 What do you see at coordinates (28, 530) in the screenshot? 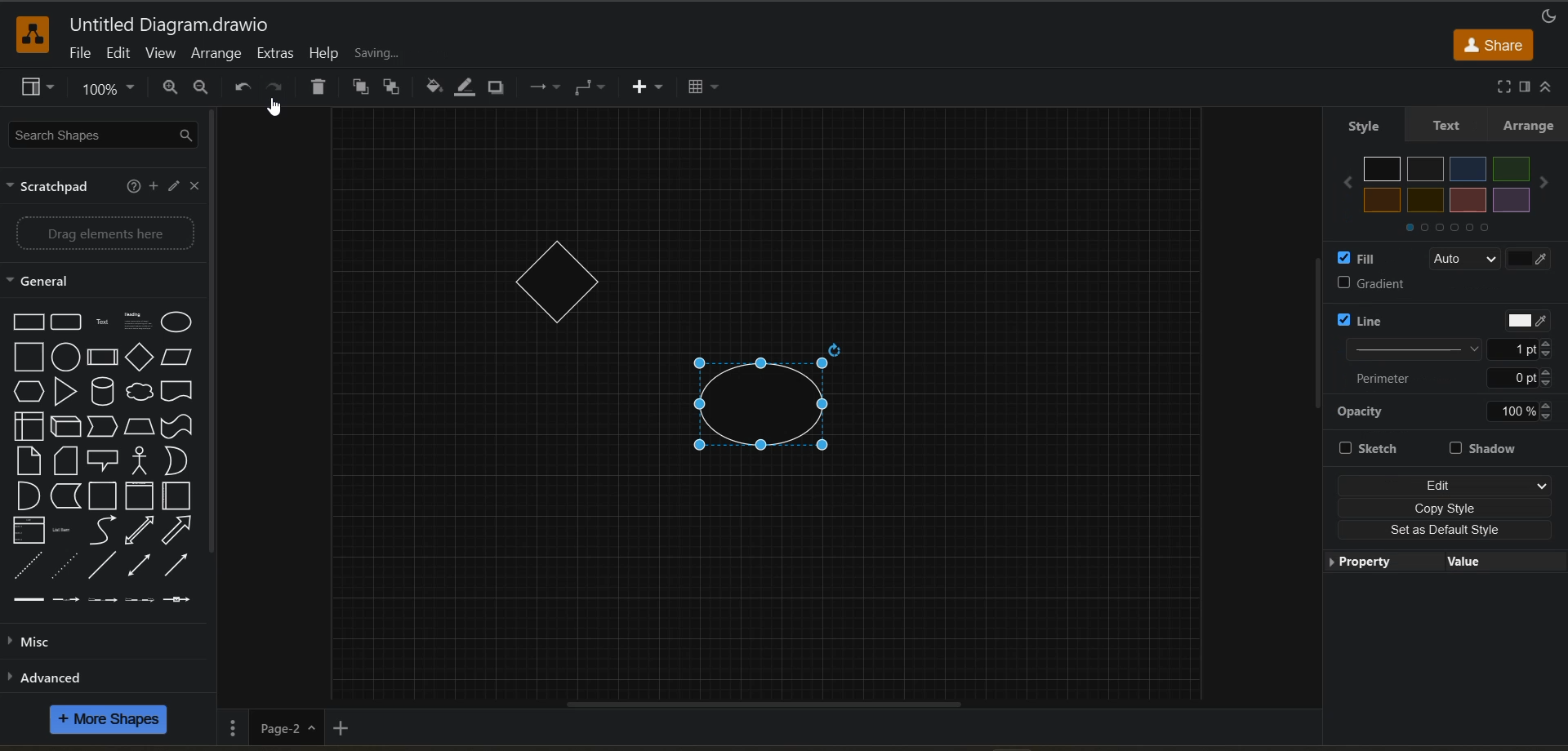
I see `list` at bounding box center [28, 530].